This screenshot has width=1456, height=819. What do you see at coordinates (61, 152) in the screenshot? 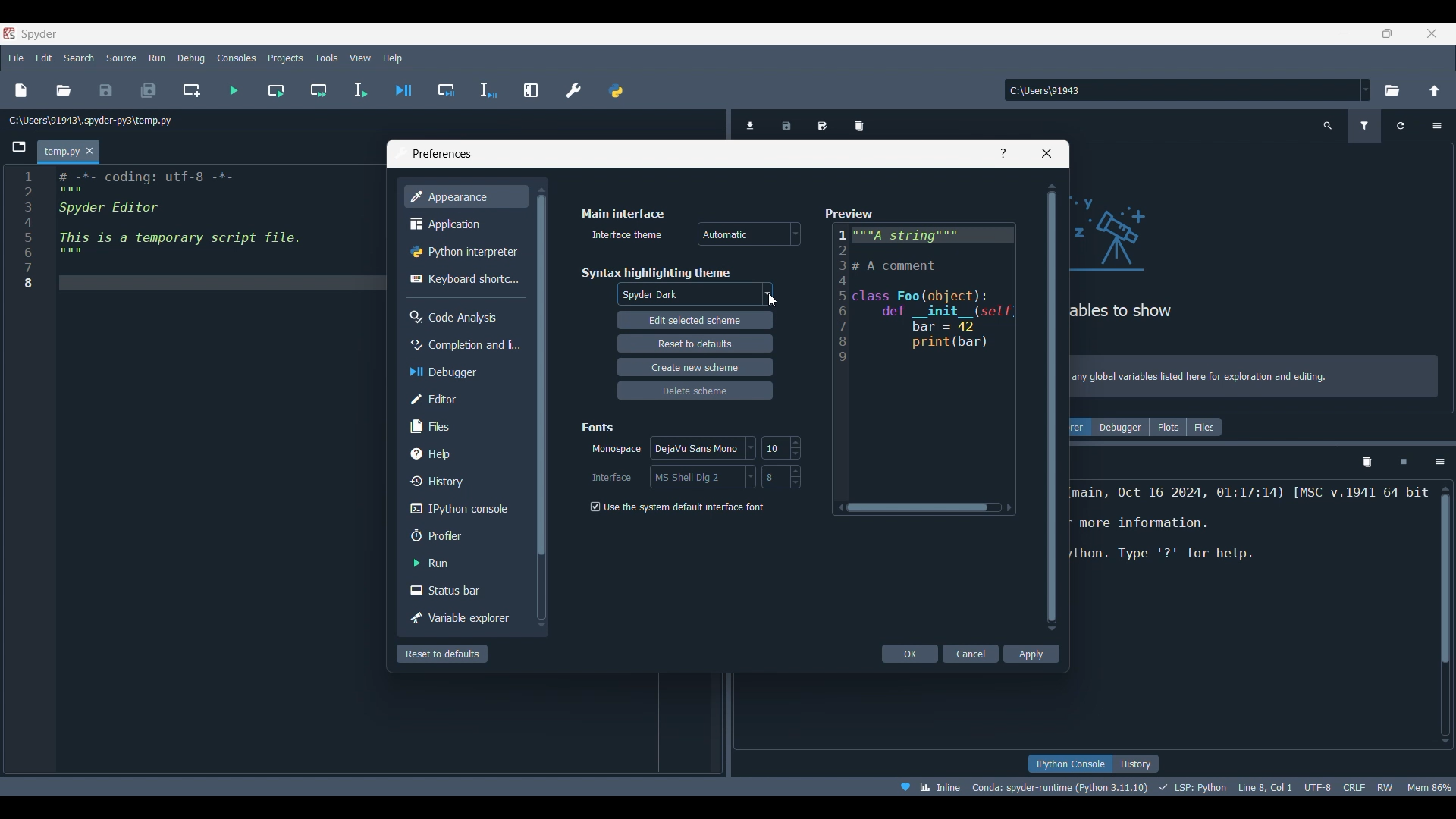
I see `Current tab highlighted` at bounding box center [61, 152].